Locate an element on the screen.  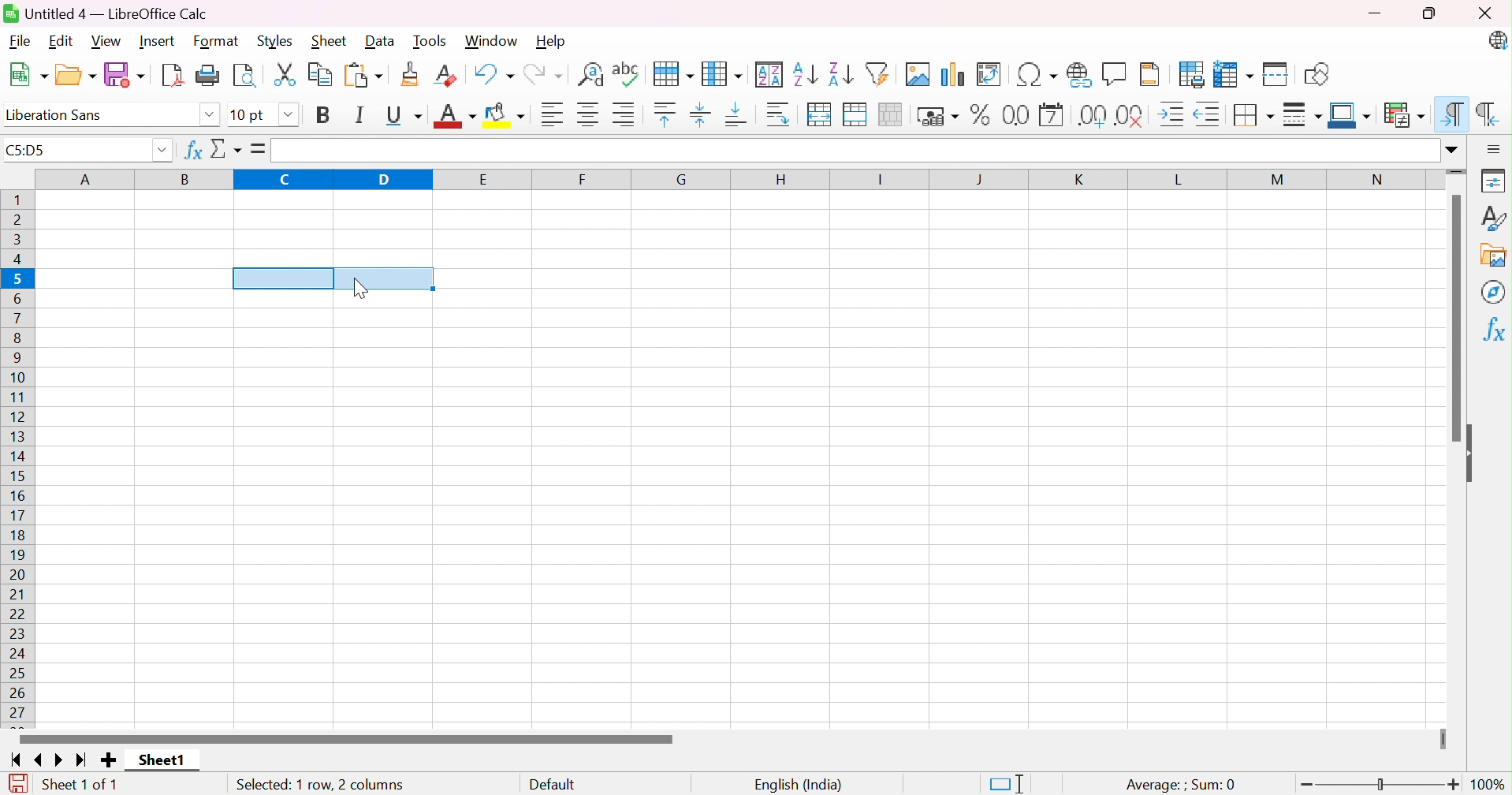
Toggle Print Preview is located at coordinates (246, 74).